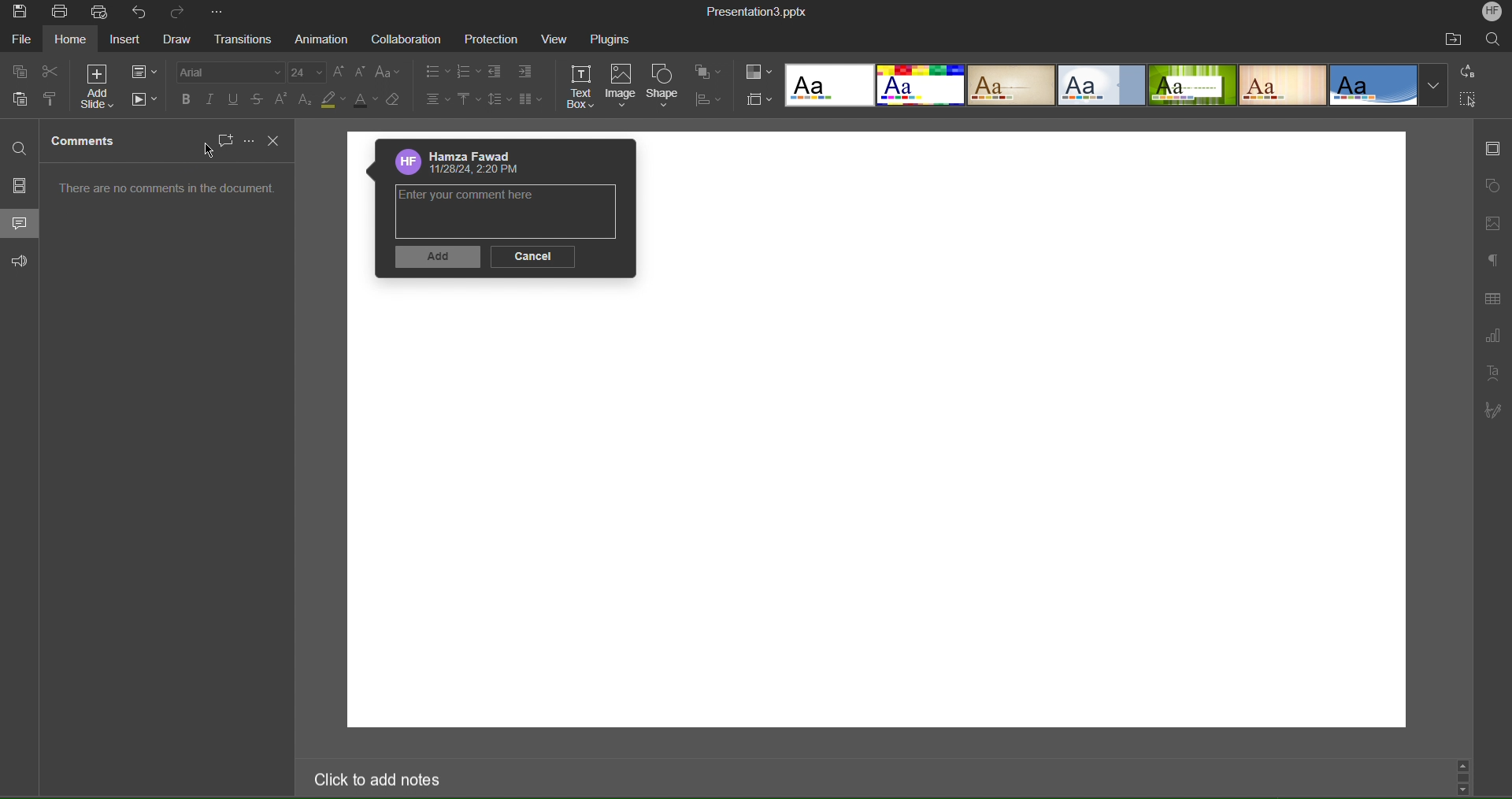 The height and width of the screenshot is (799, 1512). I want to click on Font Size, so click(308, 73).